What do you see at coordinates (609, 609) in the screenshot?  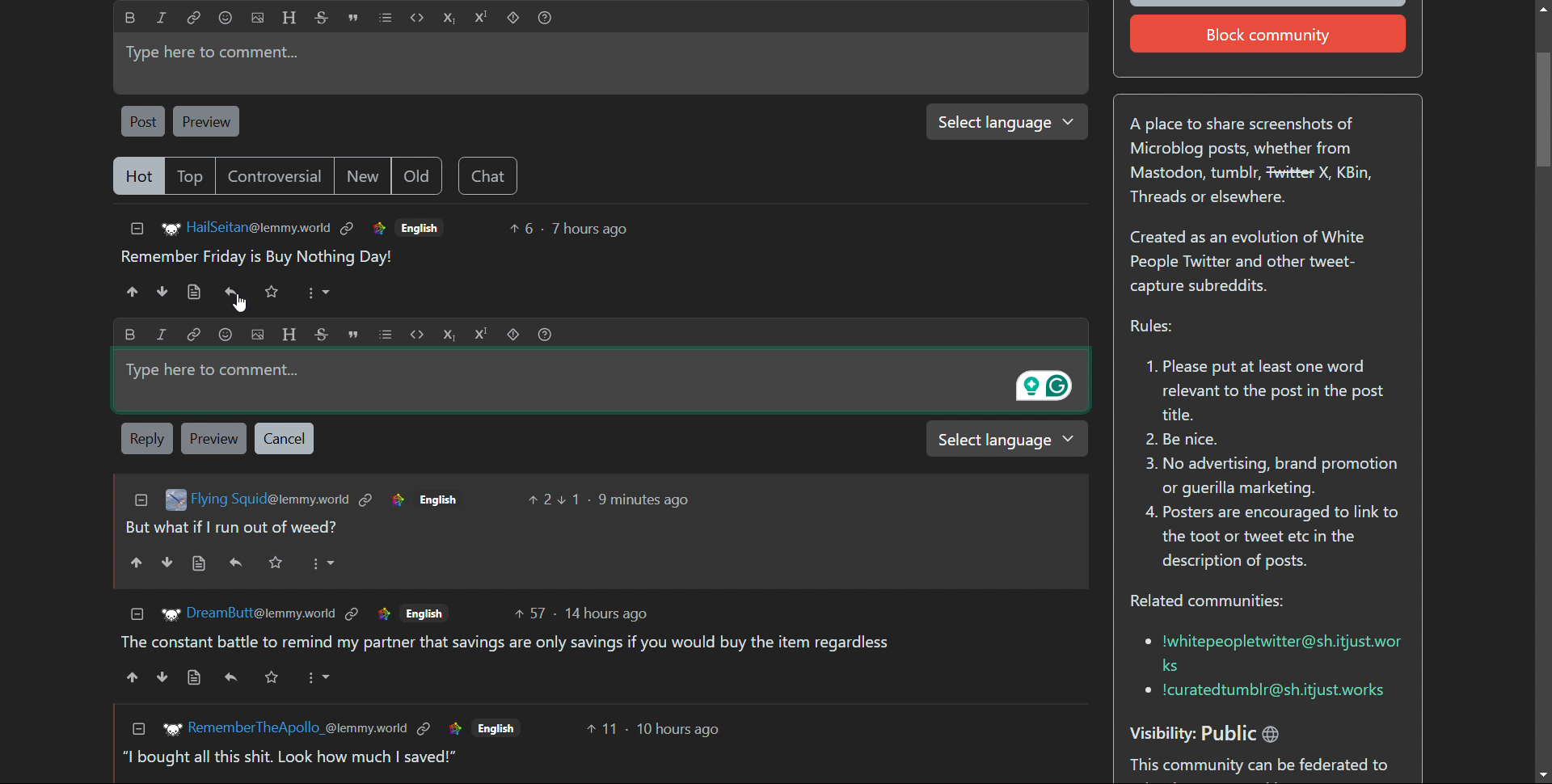 I see `time of posting` at bounding box center [609, 609].